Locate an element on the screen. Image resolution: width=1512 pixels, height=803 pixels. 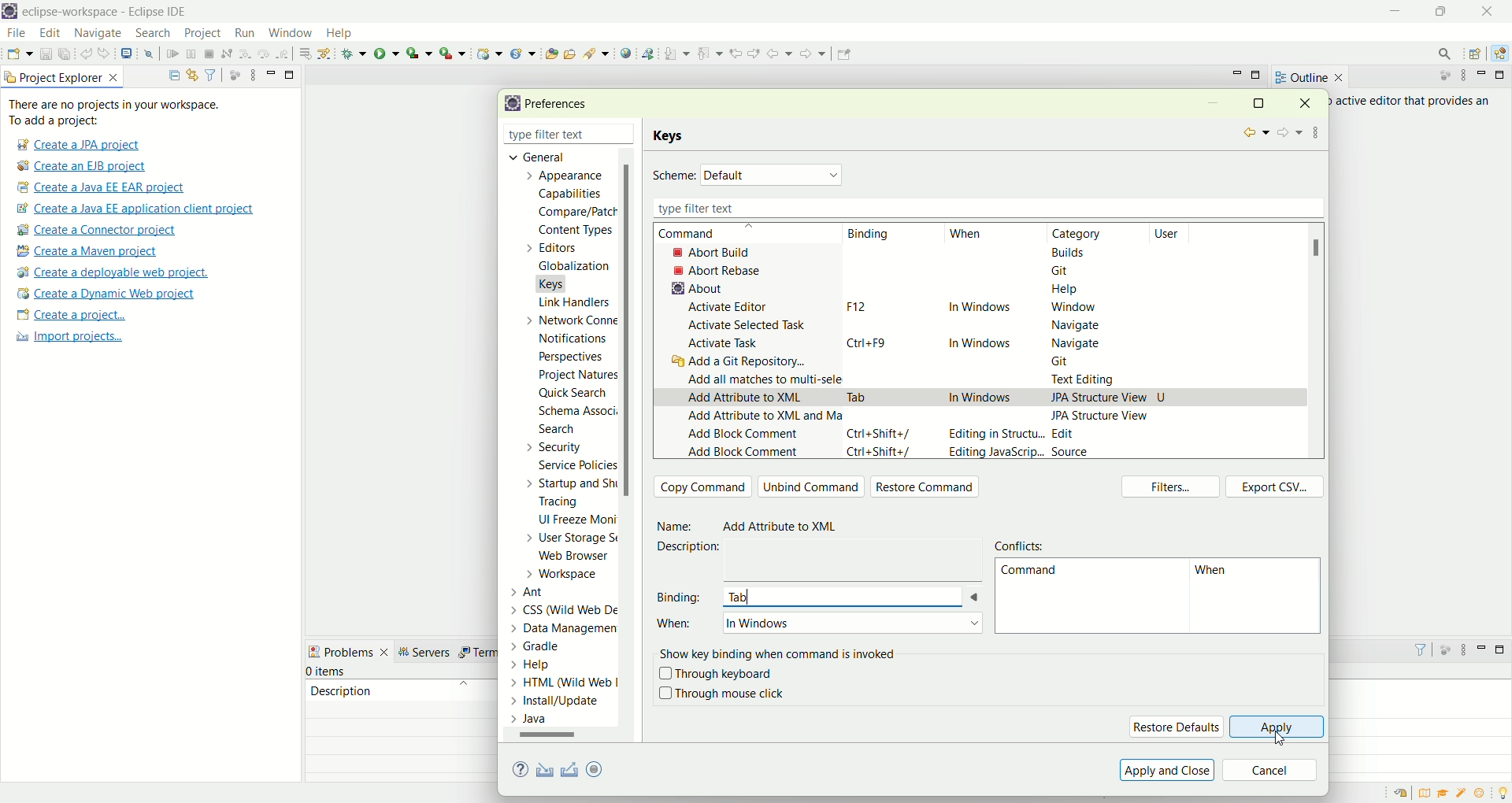
git is located at coordinates (1065, 270).